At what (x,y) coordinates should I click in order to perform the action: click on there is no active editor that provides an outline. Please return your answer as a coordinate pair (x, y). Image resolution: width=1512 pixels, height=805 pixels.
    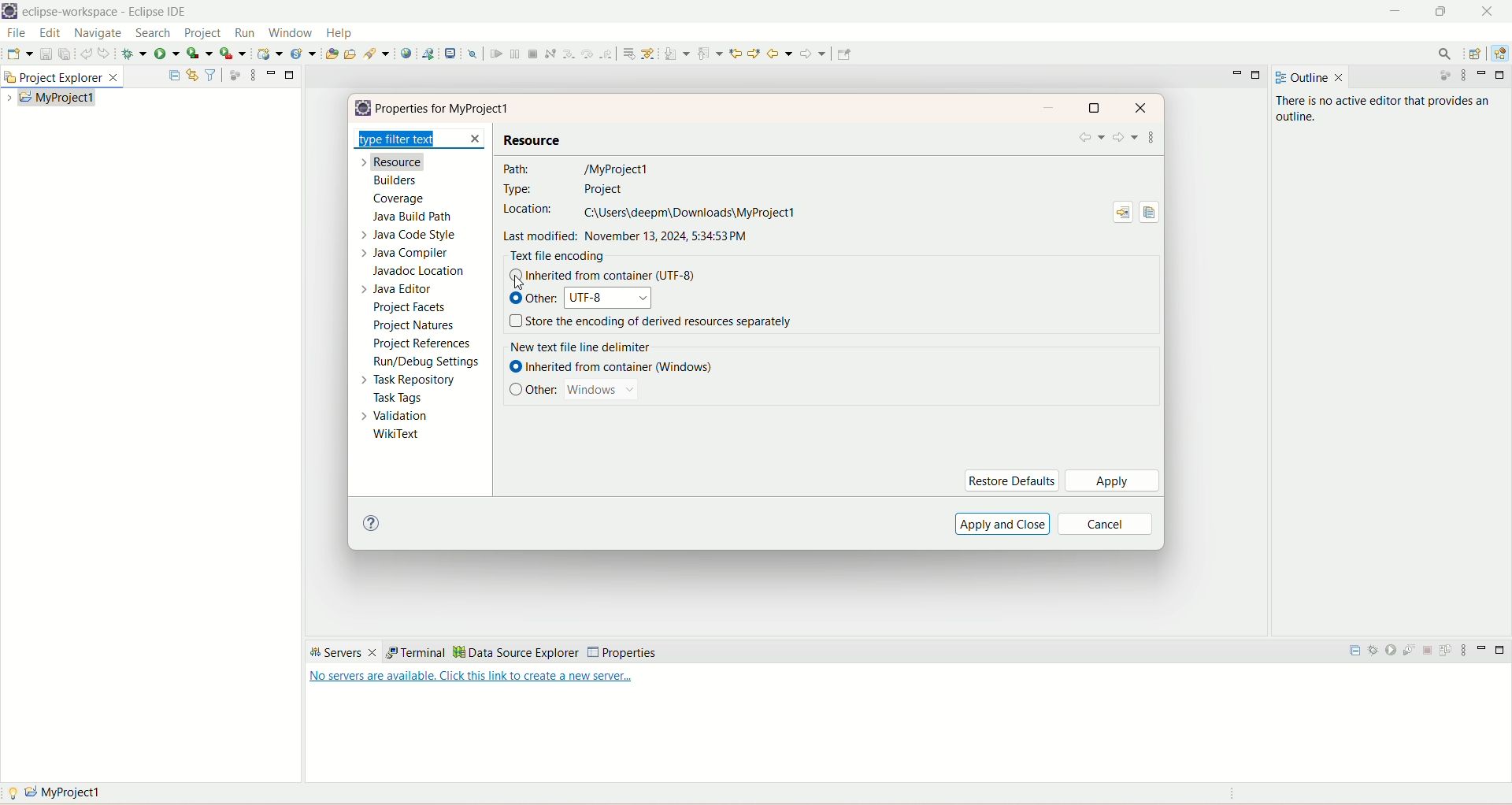
    Looking at the image, I should click on (1393, 111).